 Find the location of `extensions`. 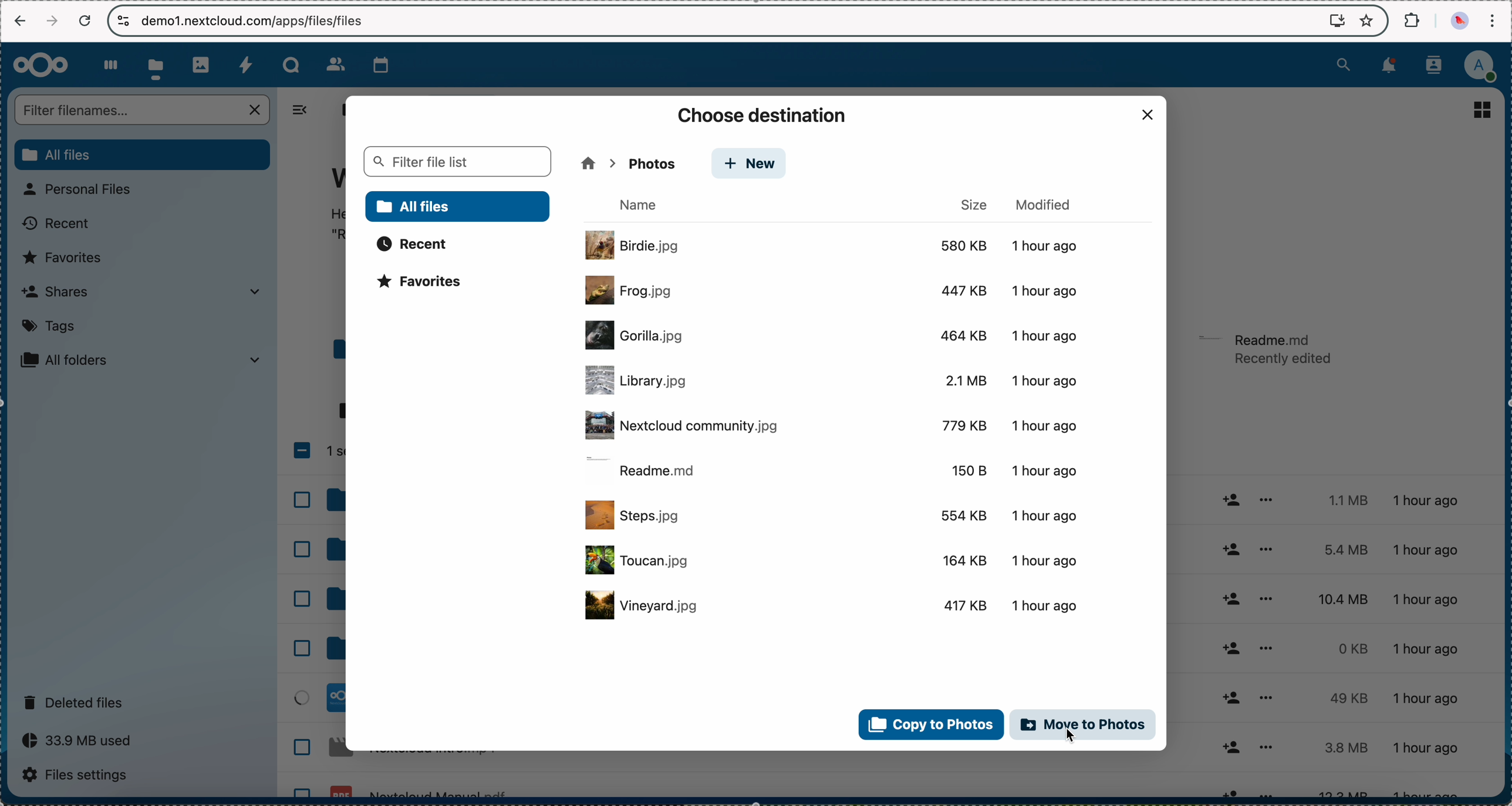

extensions is located at coordinates (1412, 21).